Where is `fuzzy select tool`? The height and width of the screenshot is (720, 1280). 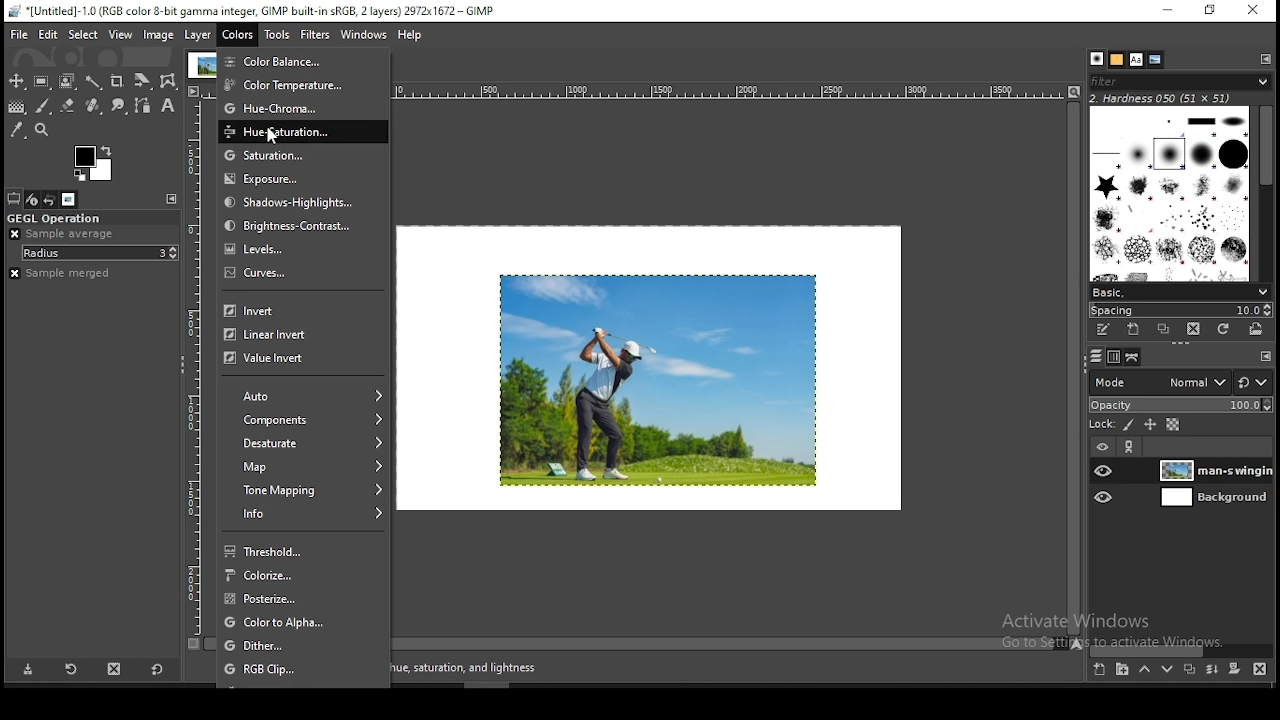 fuzzy select tool is located at coordinates (92, 82).